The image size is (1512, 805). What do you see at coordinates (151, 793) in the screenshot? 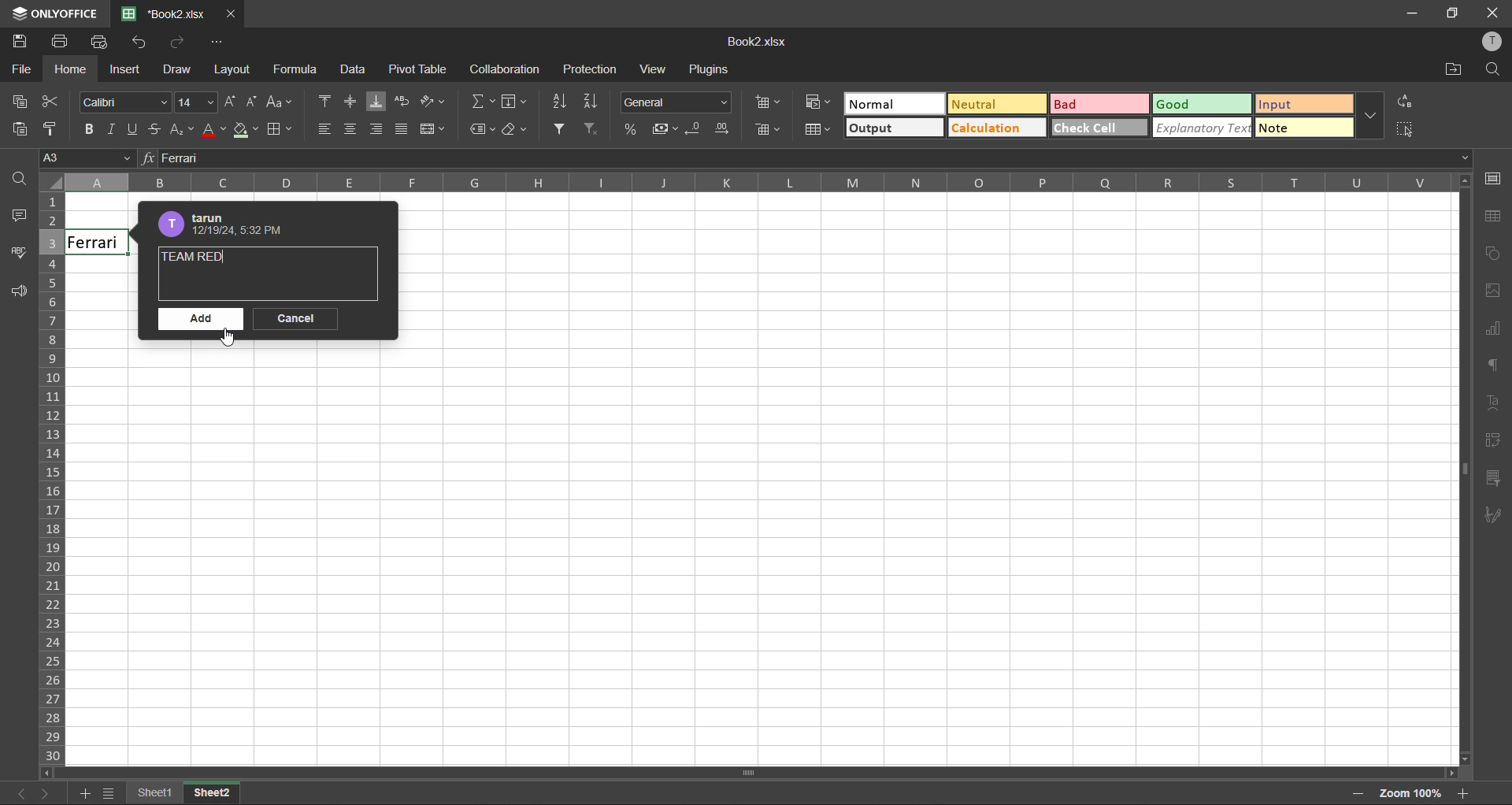
I see `sheet names` at bounding box center [151, 793].